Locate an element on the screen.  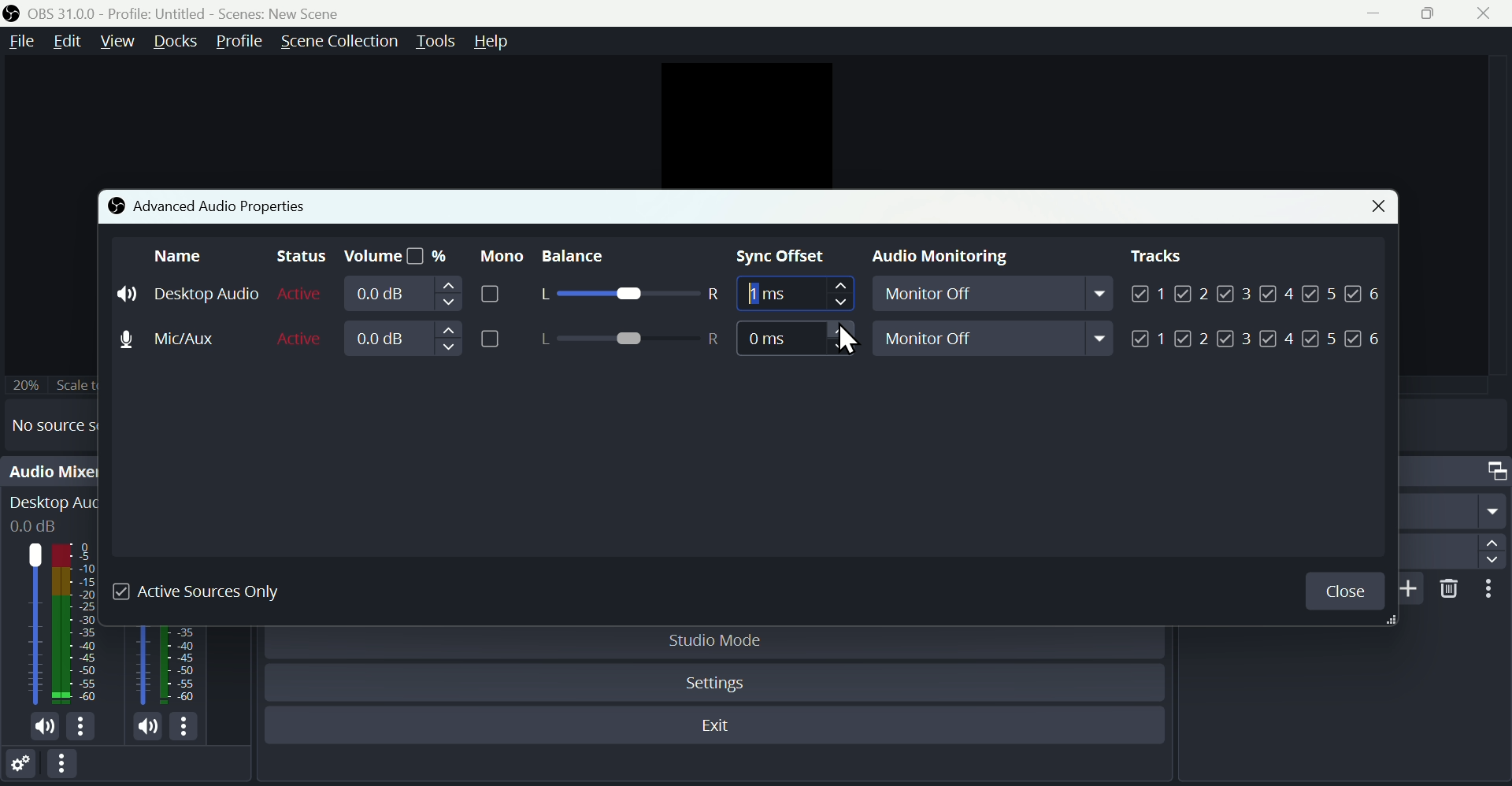
More options is located at coordinates (65, 769).